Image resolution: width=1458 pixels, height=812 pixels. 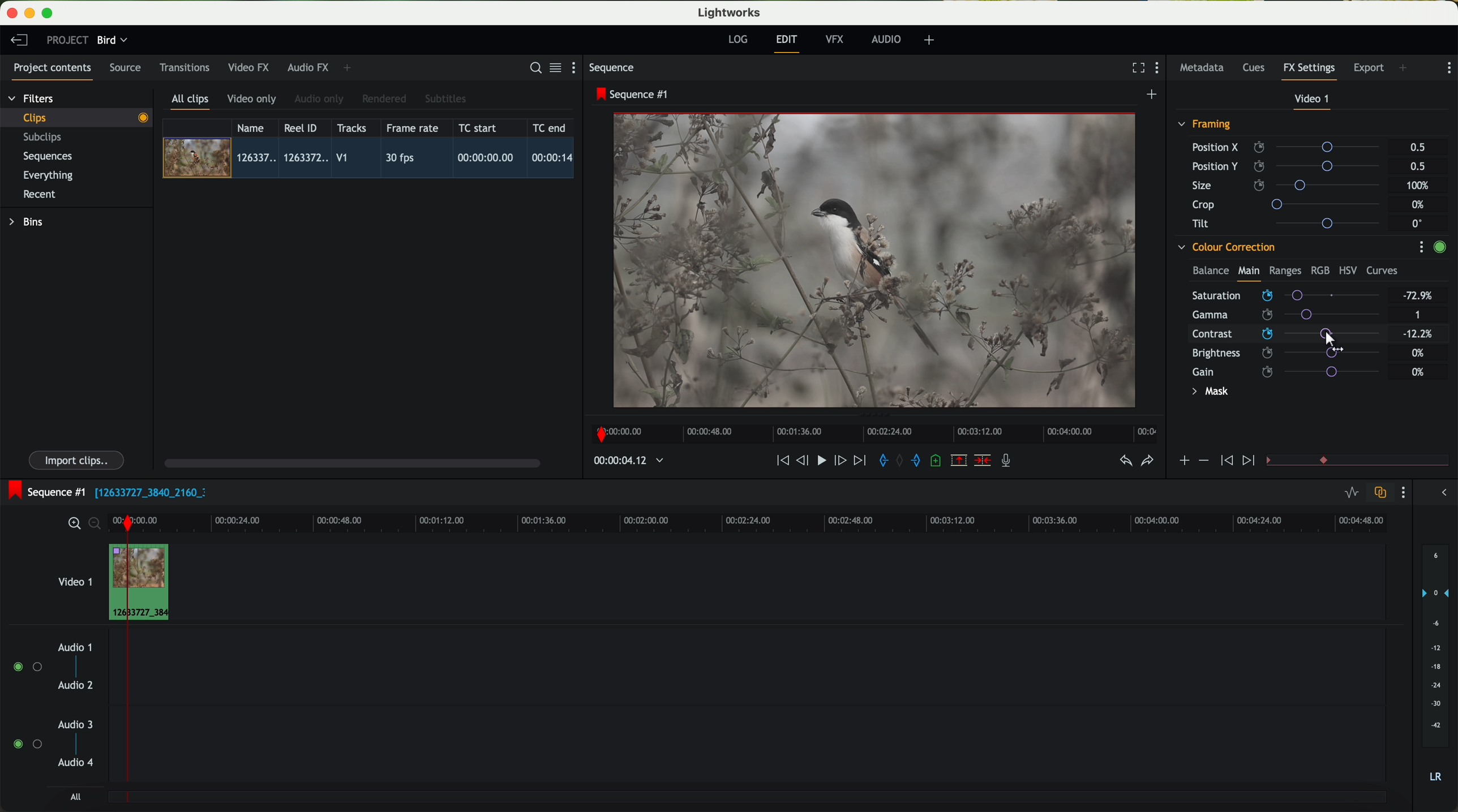 I want to click on sequence #1, so click(x=633, y=94).